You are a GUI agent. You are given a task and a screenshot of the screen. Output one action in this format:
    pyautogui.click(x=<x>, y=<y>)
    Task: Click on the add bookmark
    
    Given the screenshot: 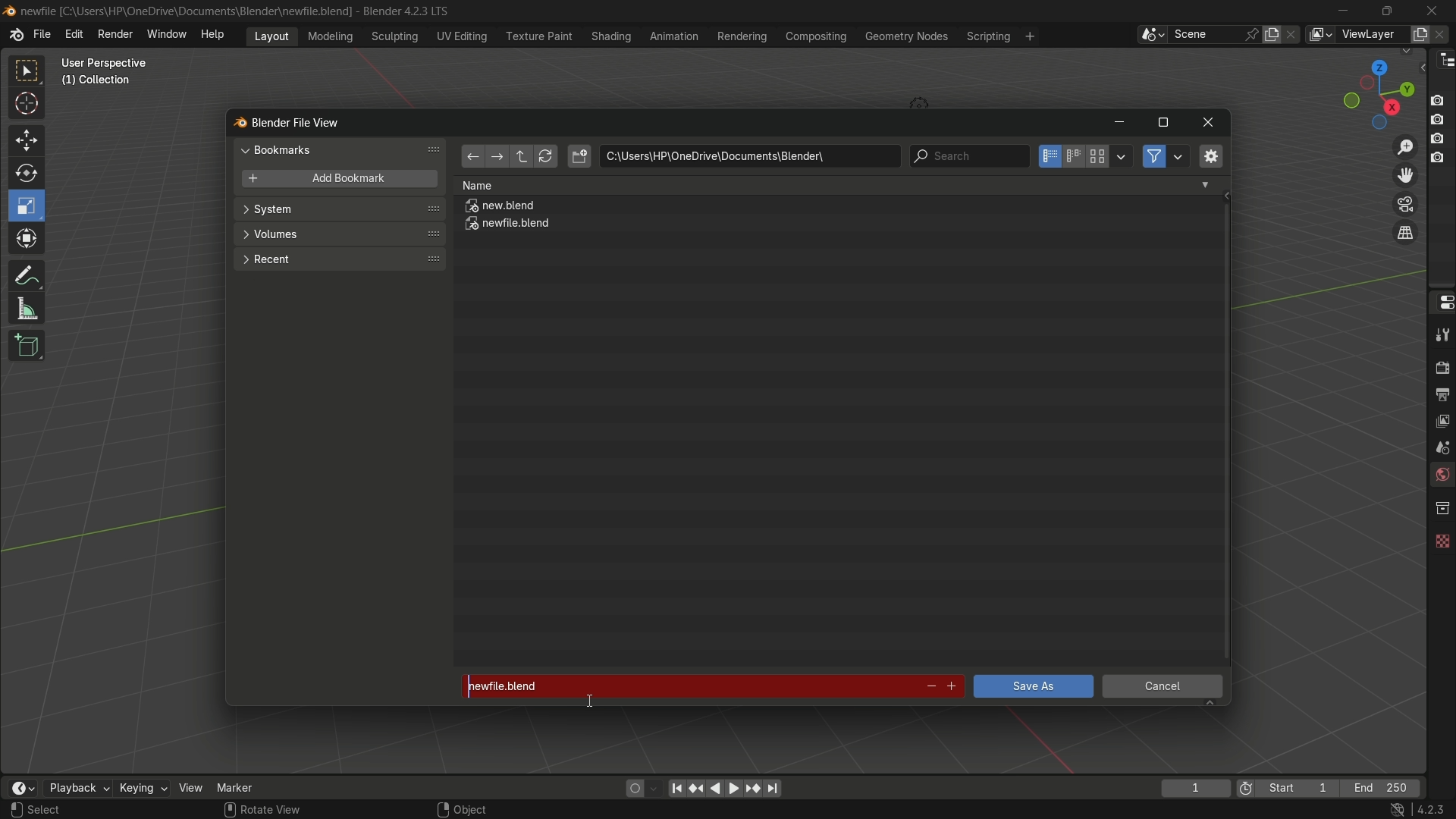 What is the action you would take?
    pyautogui.click(x=335, y=180)
    